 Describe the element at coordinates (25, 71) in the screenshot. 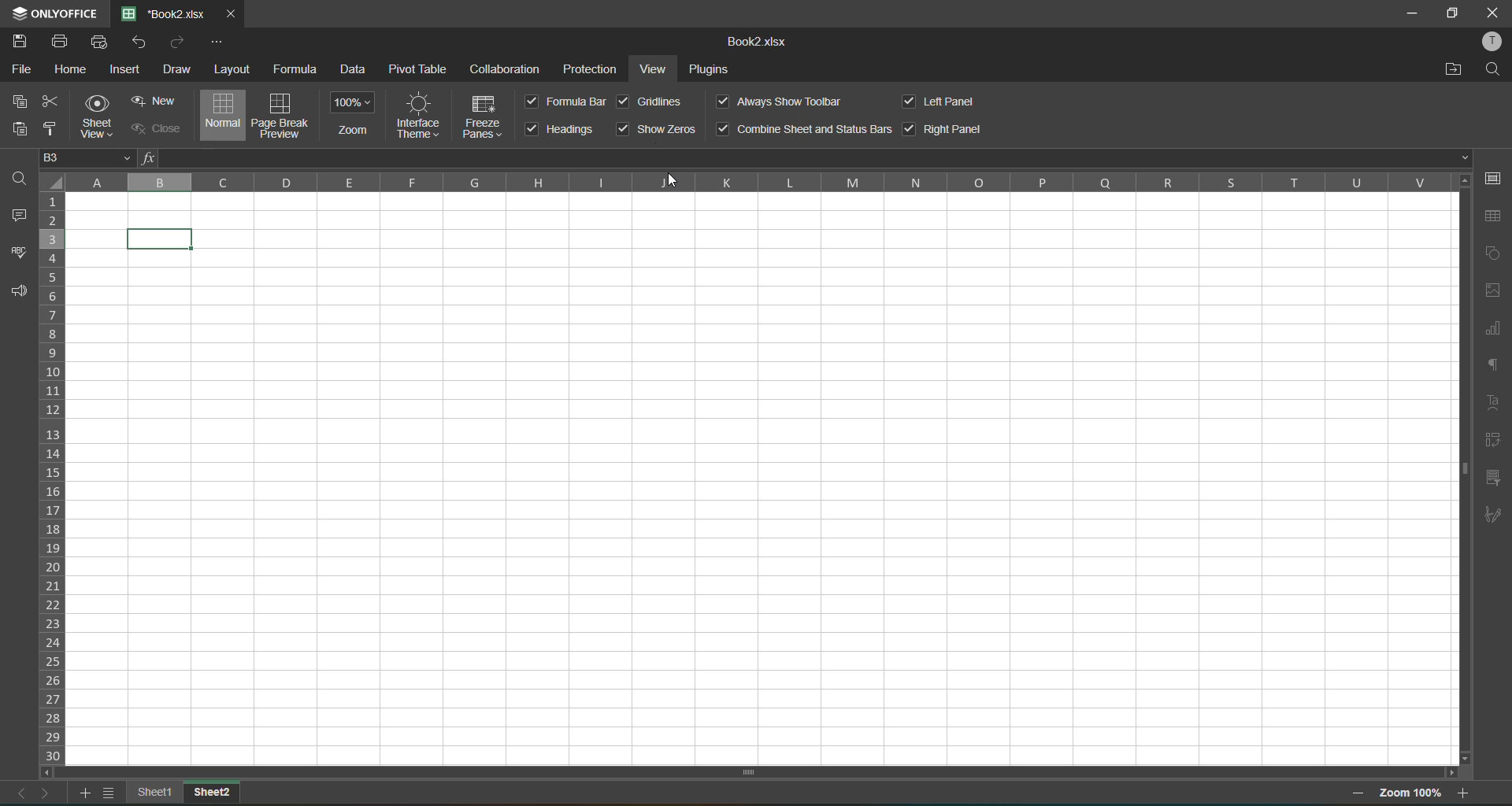

I see `file` at that location.